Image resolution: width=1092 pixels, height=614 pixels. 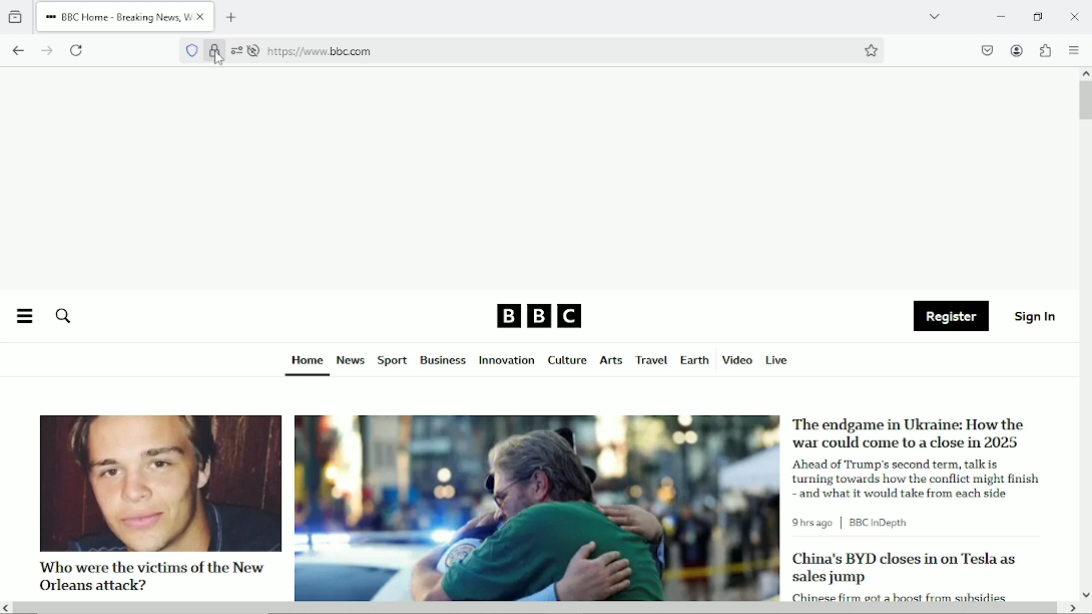 I want to click on scroll left, so click(x=7, y=608).